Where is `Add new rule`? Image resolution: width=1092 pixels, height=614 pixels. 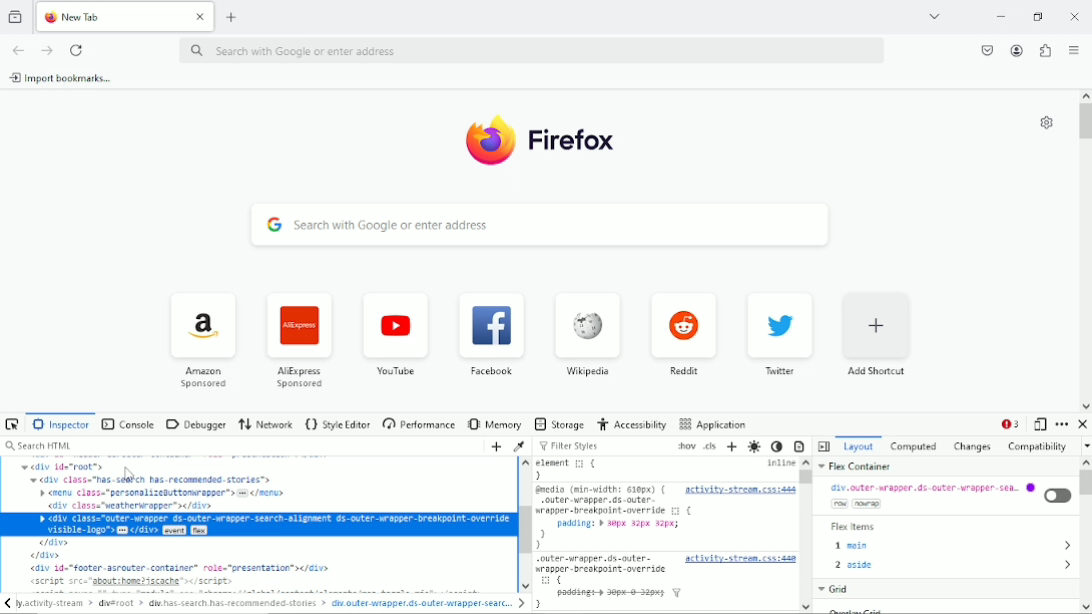
Add new rule is located at coordinates (732, 448).